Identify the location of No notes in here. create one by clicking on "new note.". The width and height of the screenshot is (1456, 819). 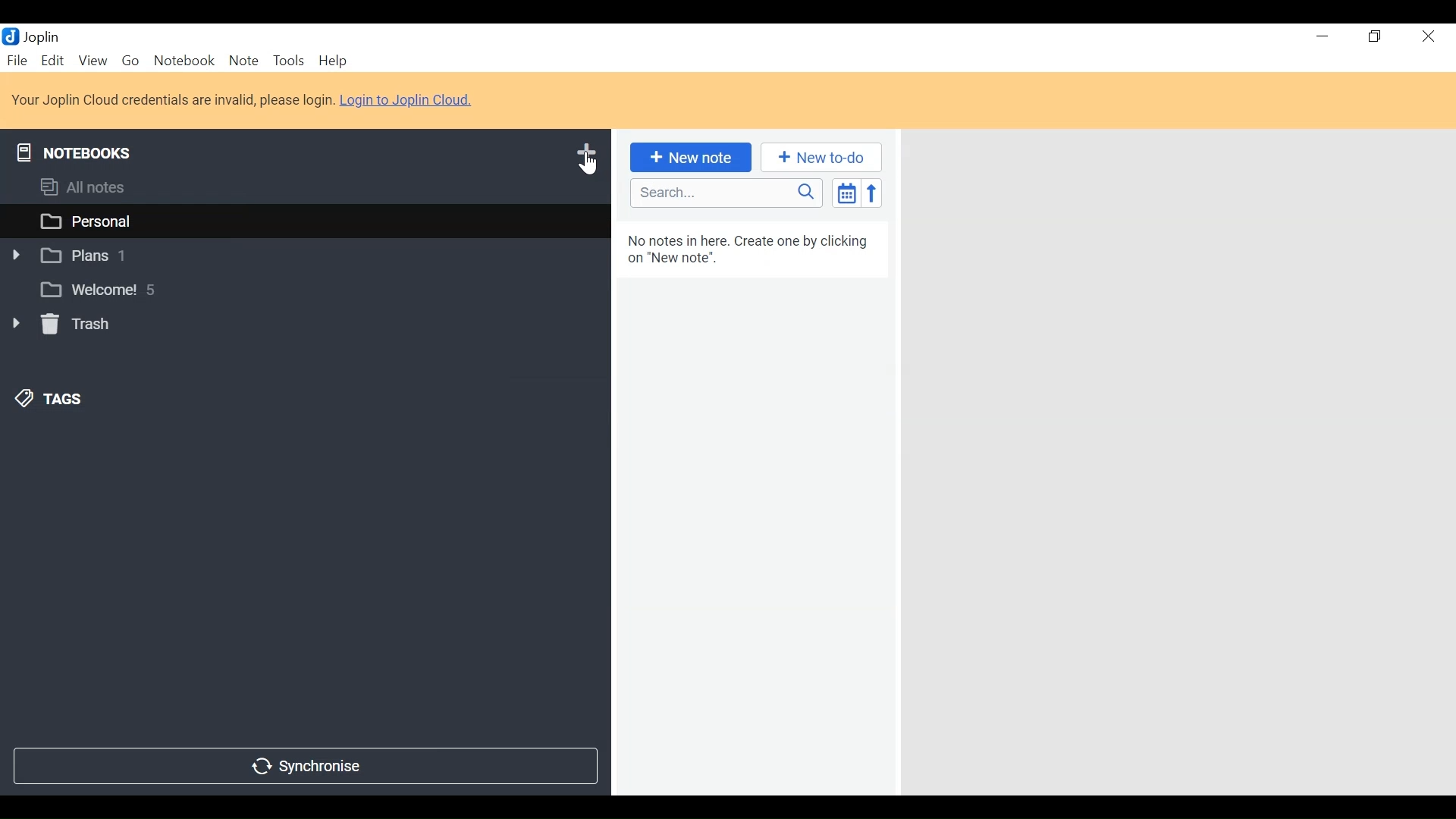
(761, 503).